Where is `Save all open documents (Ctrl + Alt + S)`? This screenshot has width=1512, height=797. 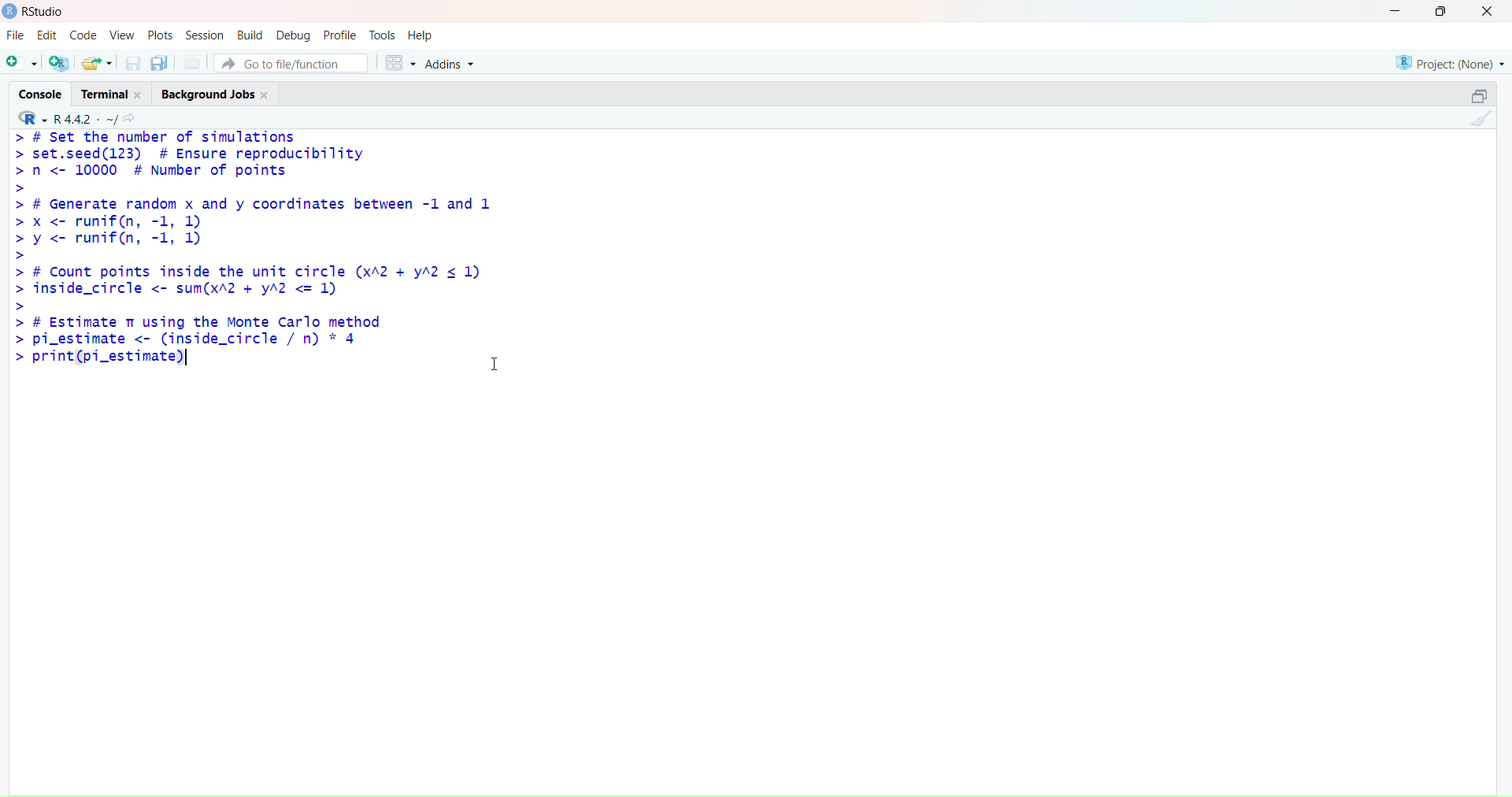
Save all open documents (Ctrl + Alt + S) is located at coordinates (161, 61).